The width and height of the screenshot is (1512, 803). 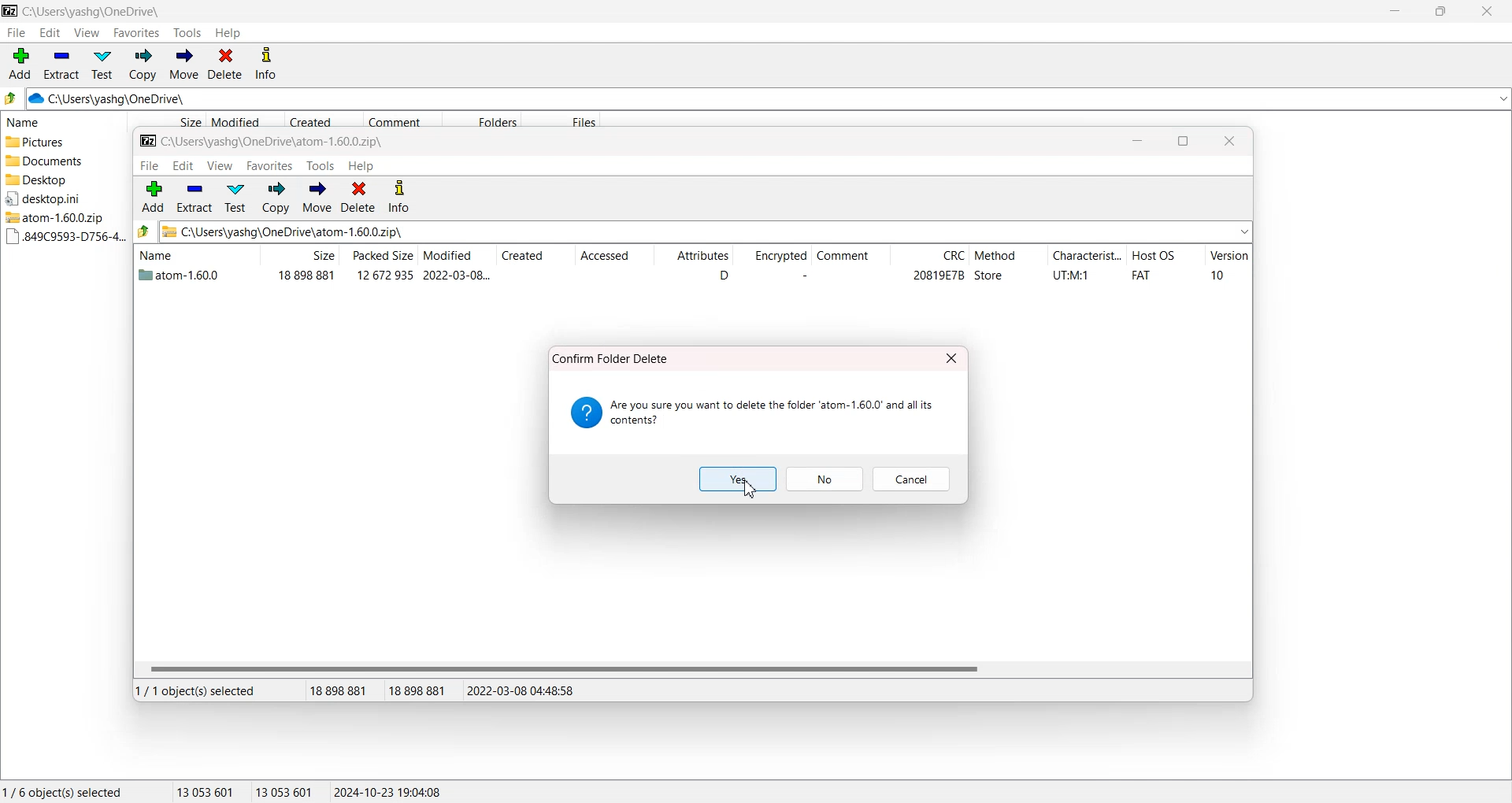 I want to click on edit, so click(x=183, y=166).